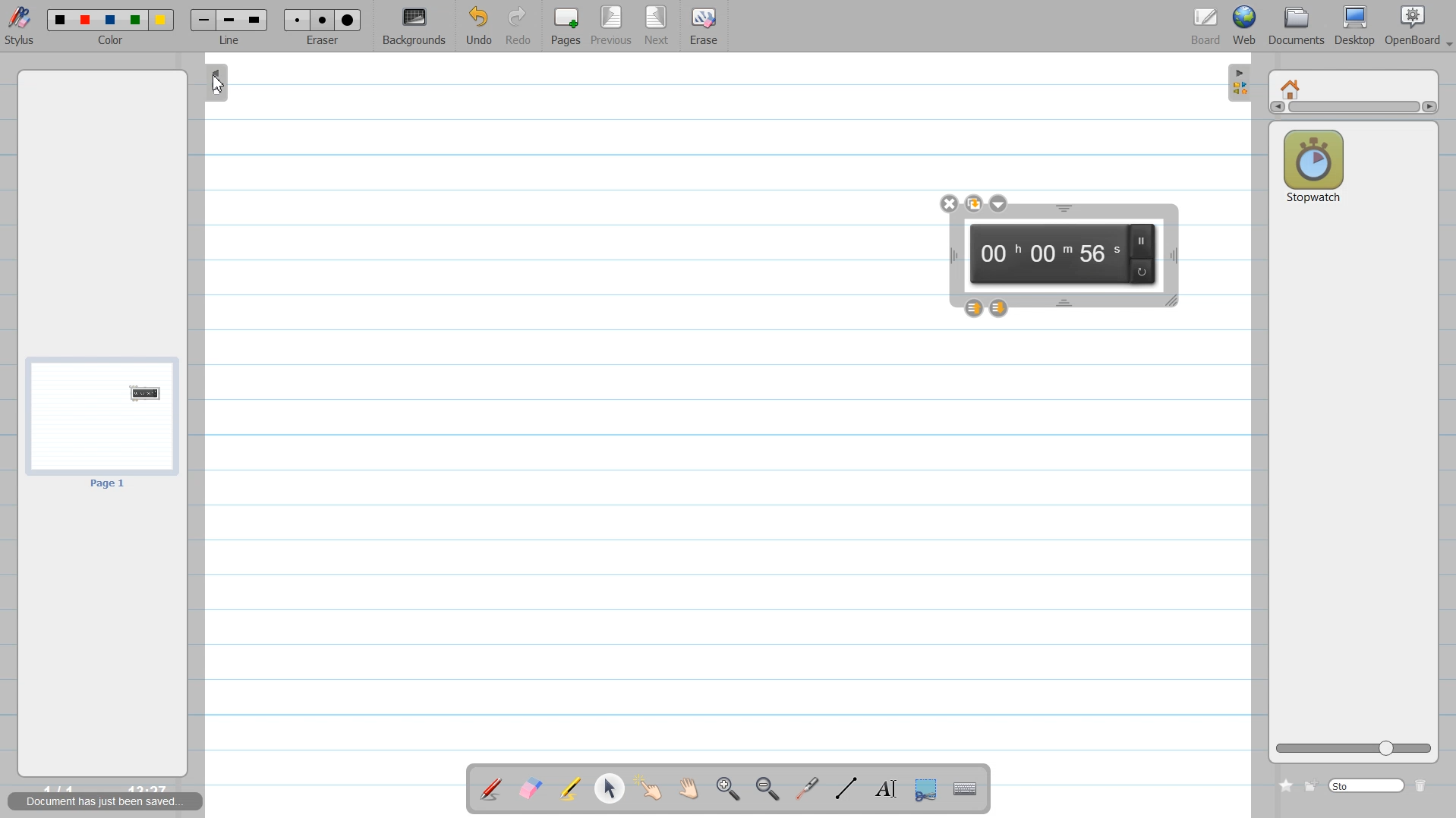 The height and width of the screenshot is (818, 1456). What do you see at coordinates (609, 788) in the screenshot?
I see `Select and modify object` at bounding box center [609, 788].